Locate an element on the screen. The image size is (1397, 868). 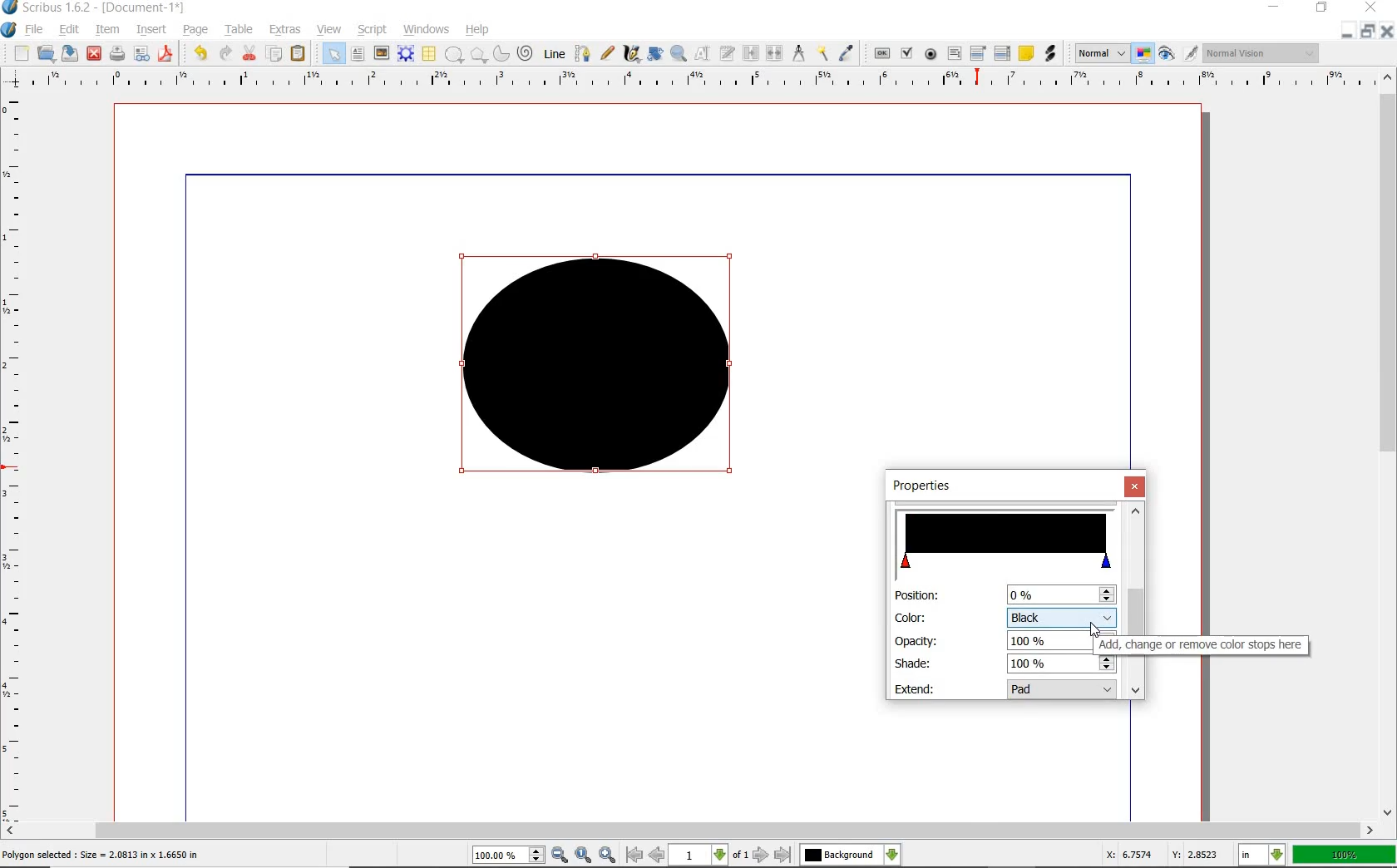
TEXT ANNOATATION is located at coordinates (1025, 52).